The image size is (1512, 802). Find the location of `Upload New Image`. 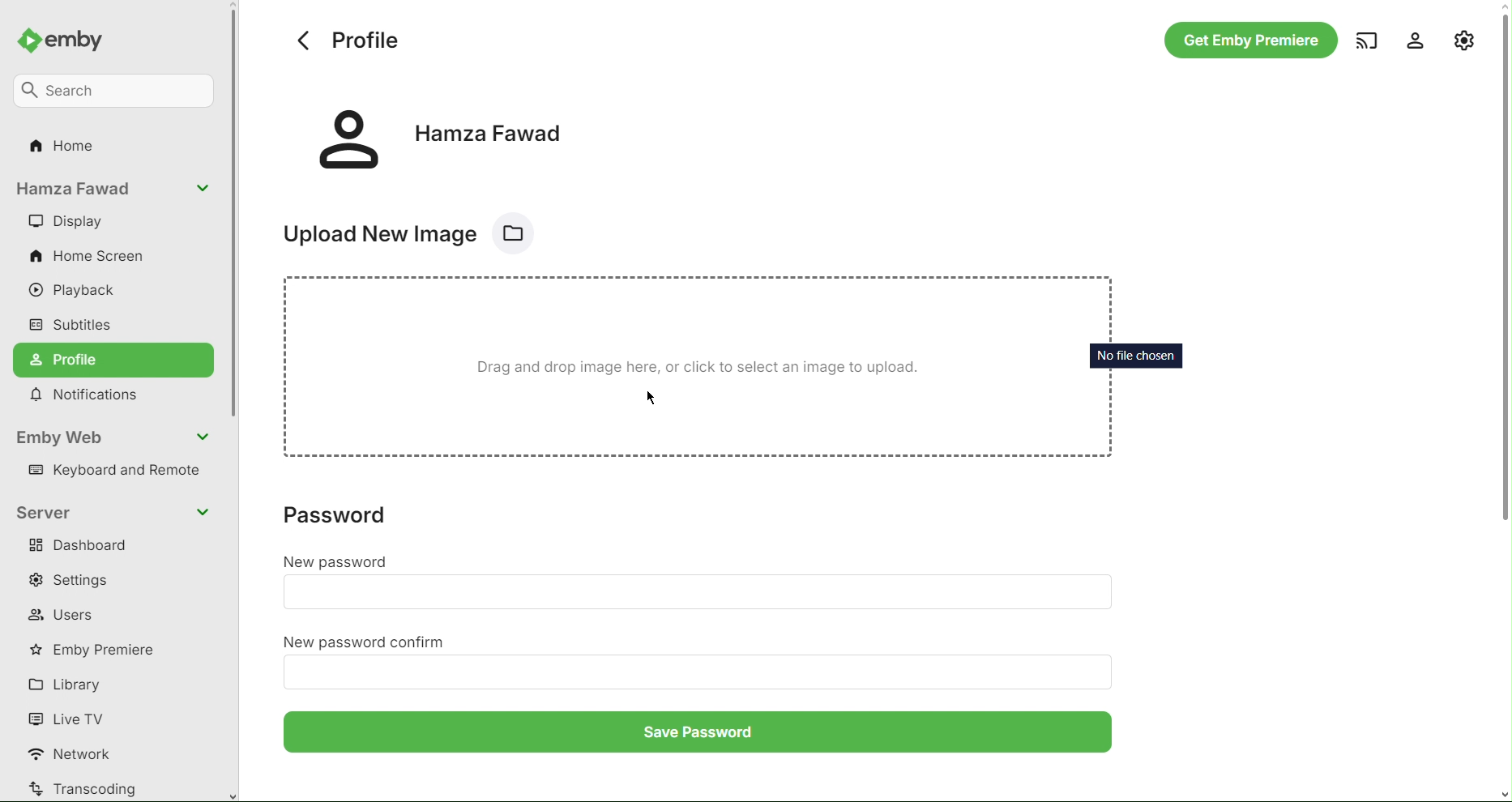

Upload New Image is located at coordinates (419, 230).